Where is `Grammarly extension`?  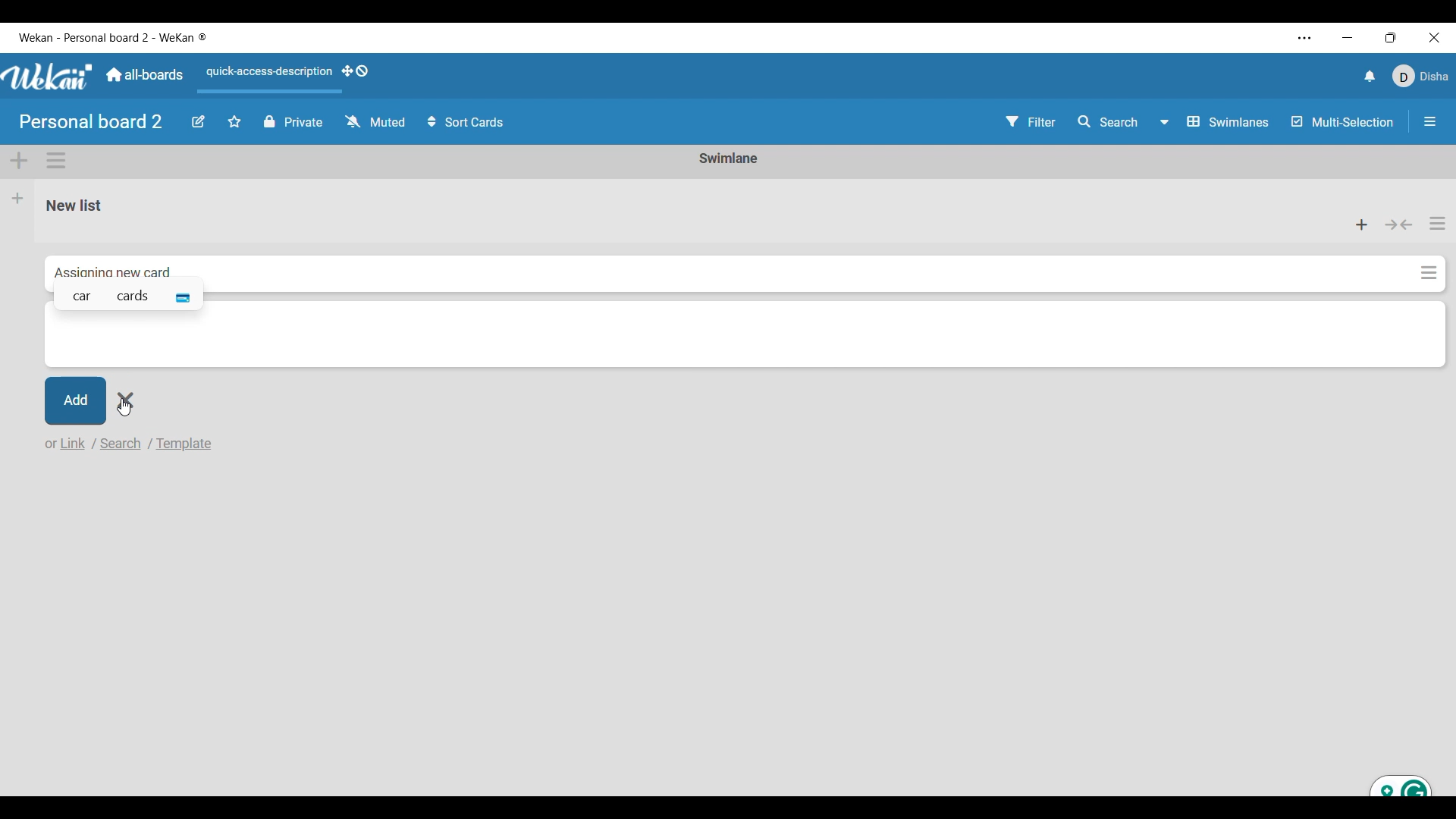
Grammarly extension is located at coordinates (1398, 784).